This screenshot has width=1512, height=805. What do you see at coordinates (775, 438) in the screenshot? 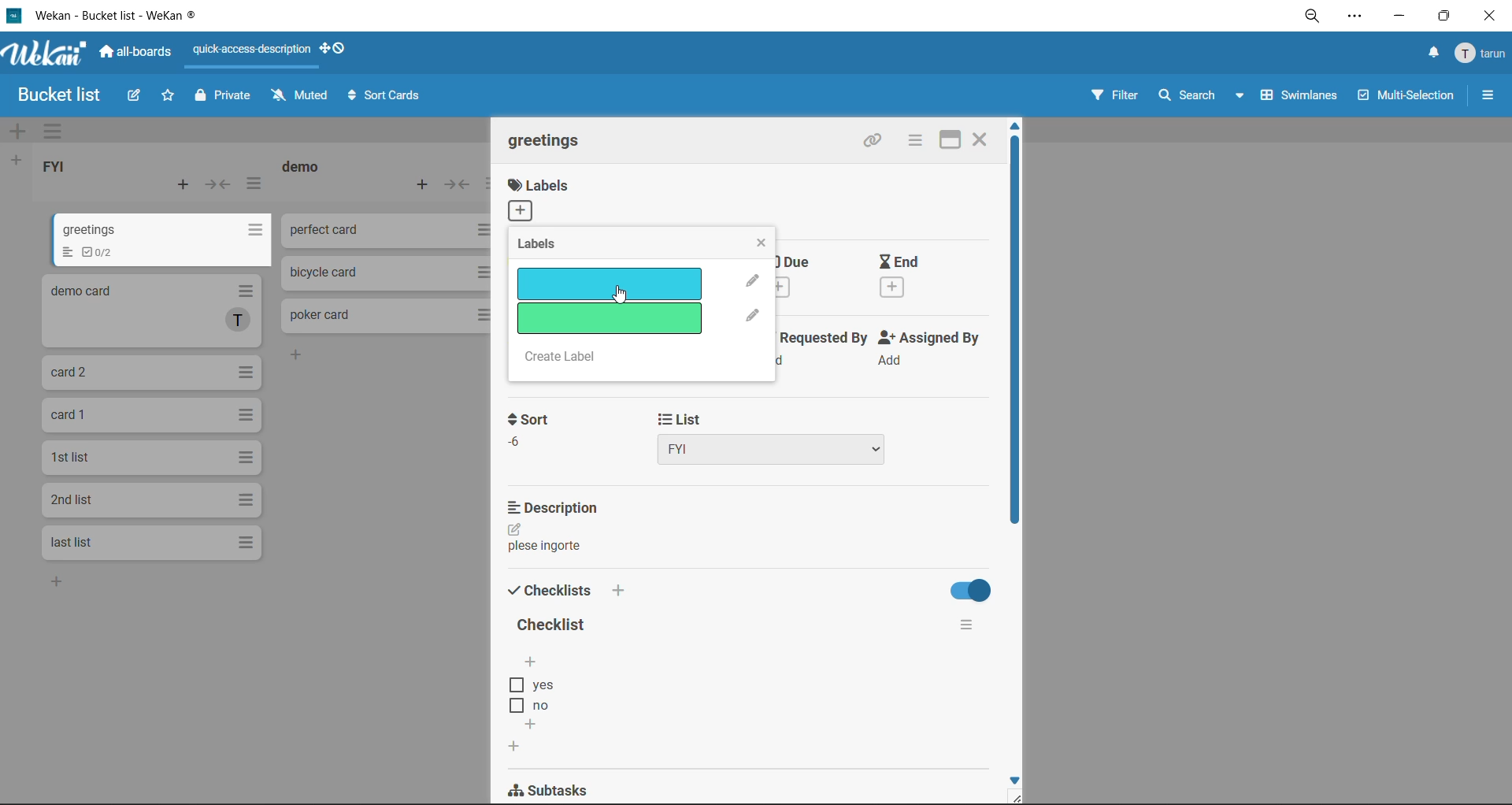
I see `list` at bounding box center [775, 438].